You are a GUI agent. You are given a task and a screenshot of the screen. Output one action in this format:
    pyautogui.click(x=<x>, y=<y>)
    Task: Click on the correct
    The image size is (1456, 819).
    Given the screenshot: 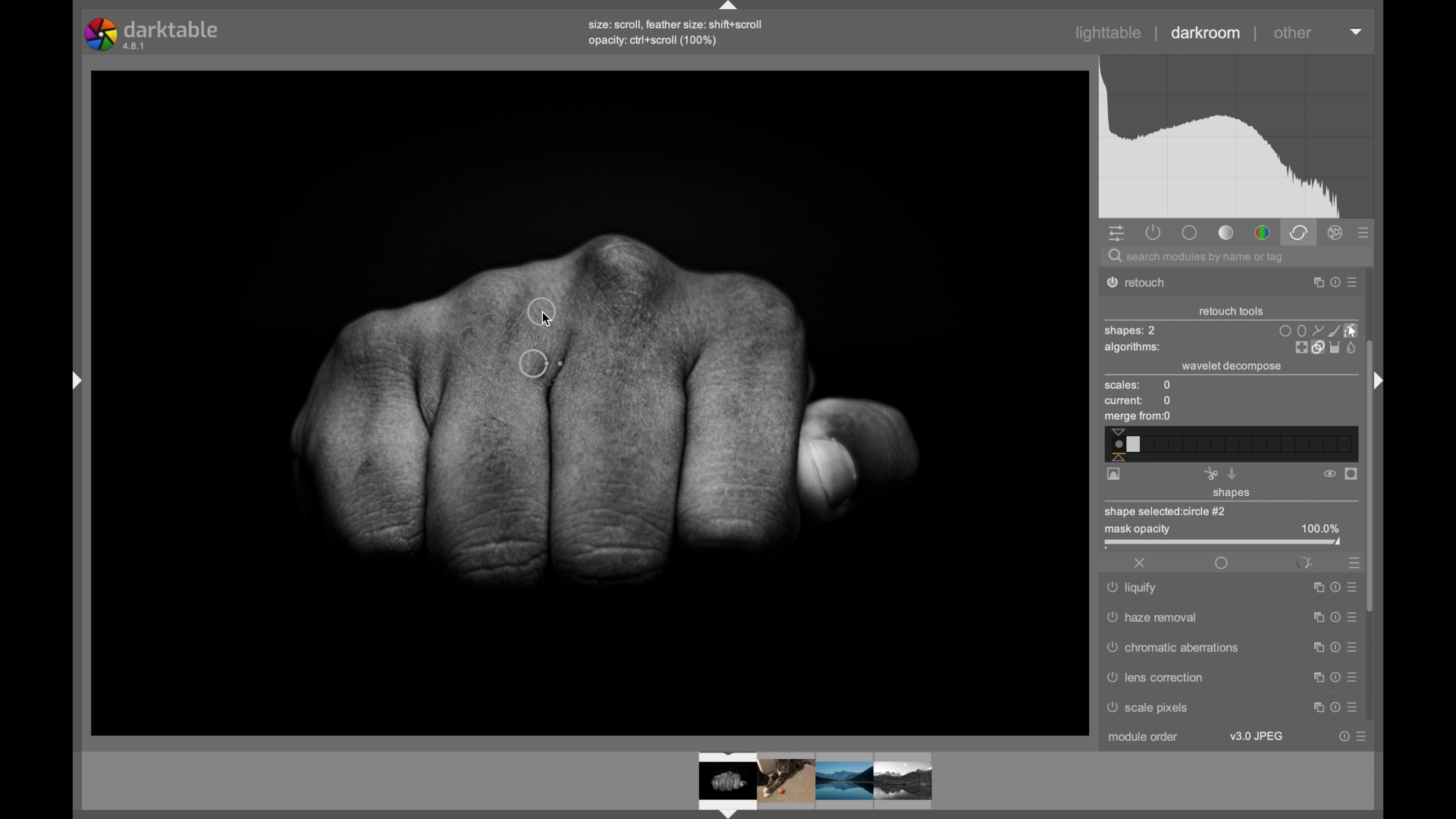 What is the action you would take?
    pyautogui.click(x=1298, y=232)
    